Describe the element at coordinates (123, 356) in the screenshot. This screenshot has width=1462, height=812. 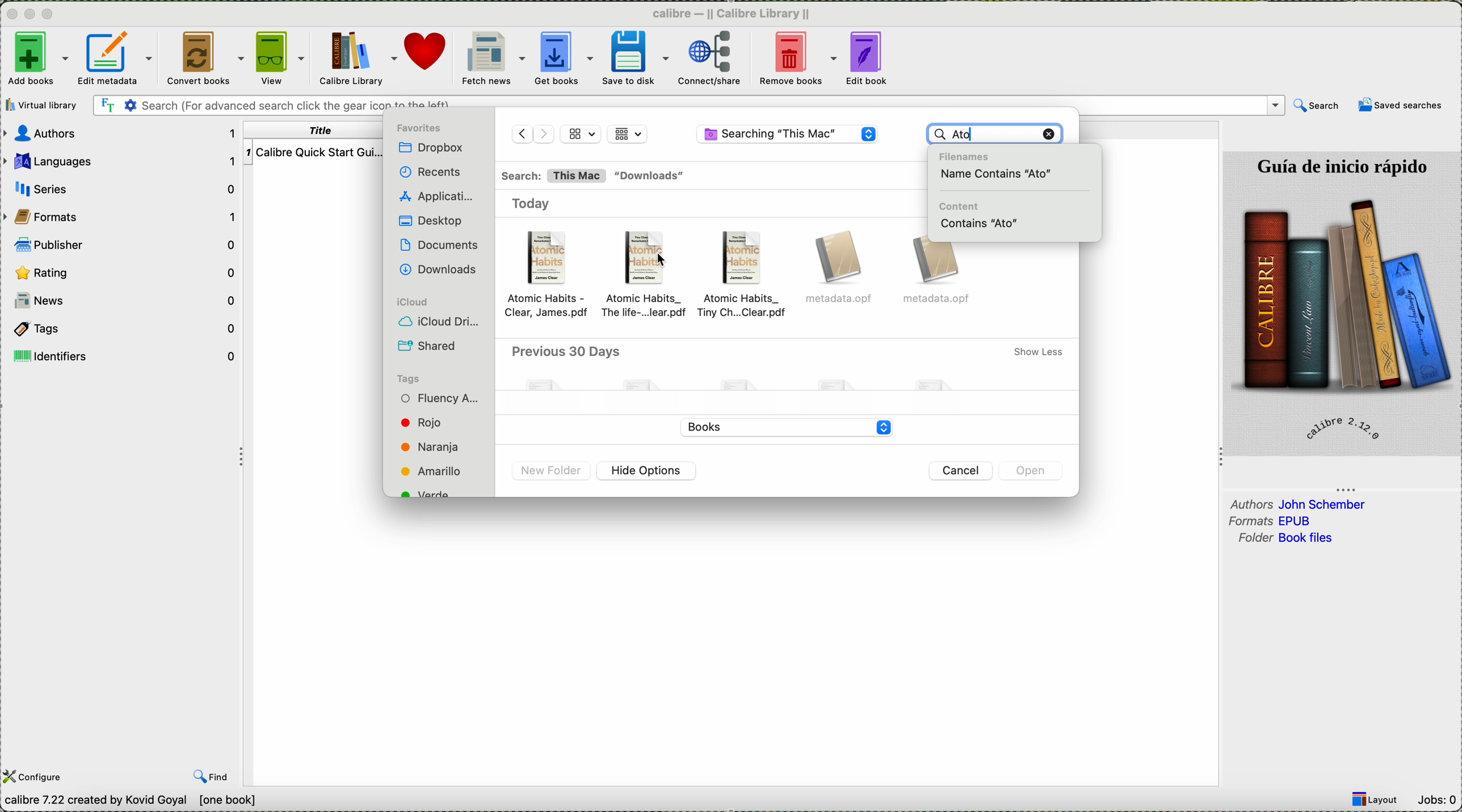
I see `identifiers` at that location.